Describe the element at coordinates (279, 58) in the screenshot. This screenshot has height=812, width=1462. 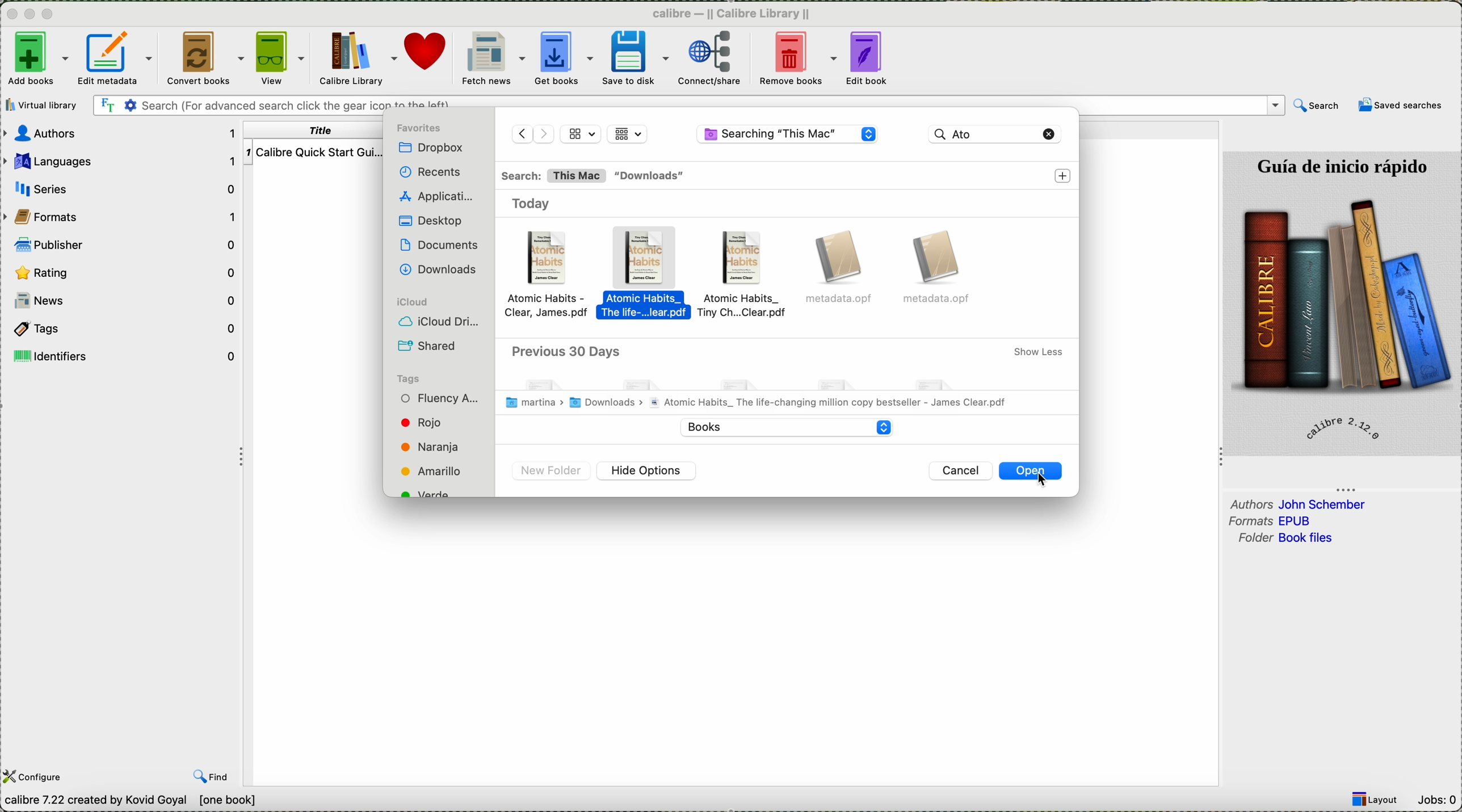
I see `view` at that location.